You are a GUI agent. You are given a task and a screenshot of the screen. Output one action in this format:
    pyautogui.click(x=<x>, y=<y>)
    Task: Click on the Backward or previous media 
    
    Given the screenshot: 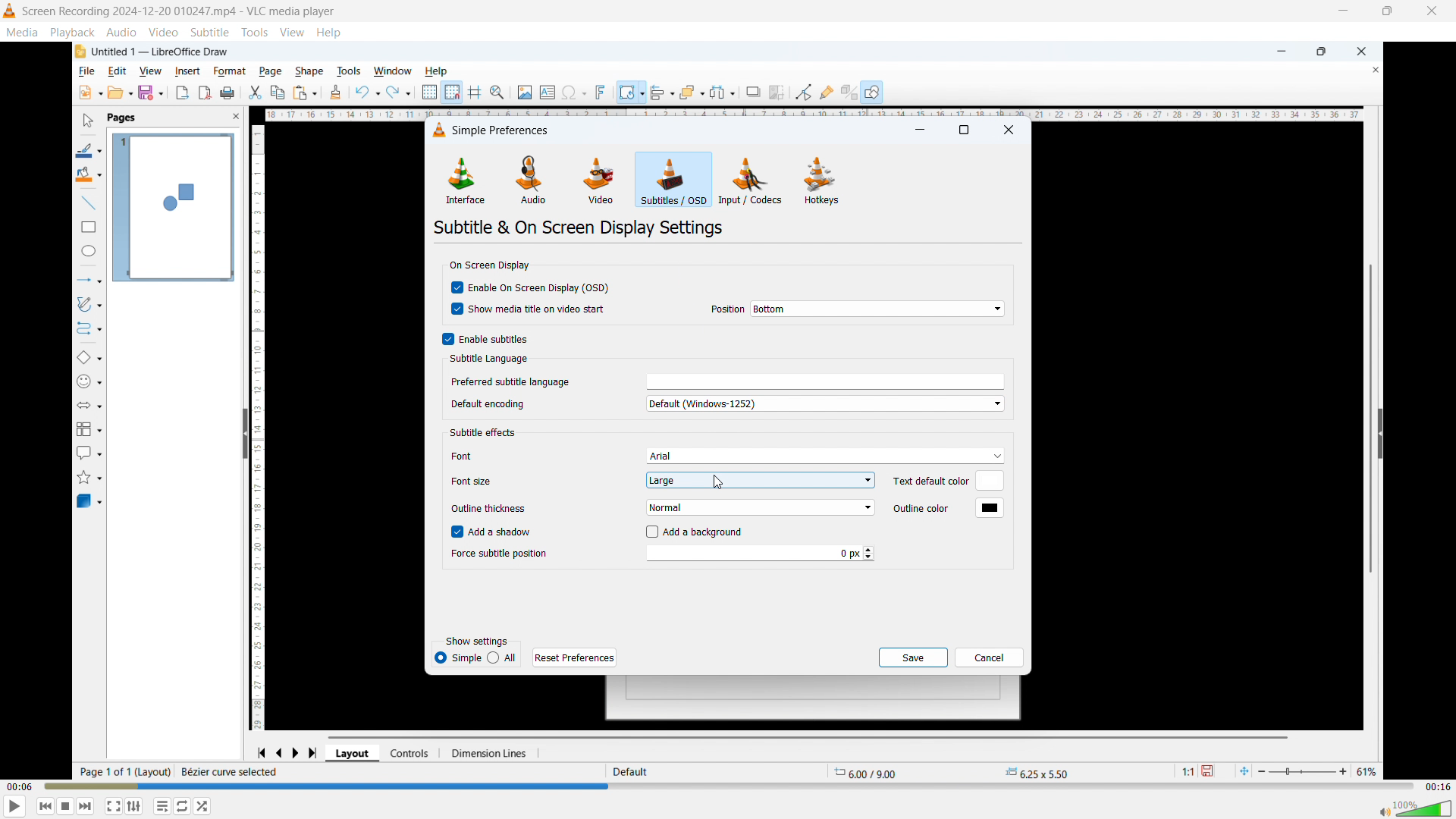 What is the action you would take?
    pyautogui.click(x=45, y=806)
    